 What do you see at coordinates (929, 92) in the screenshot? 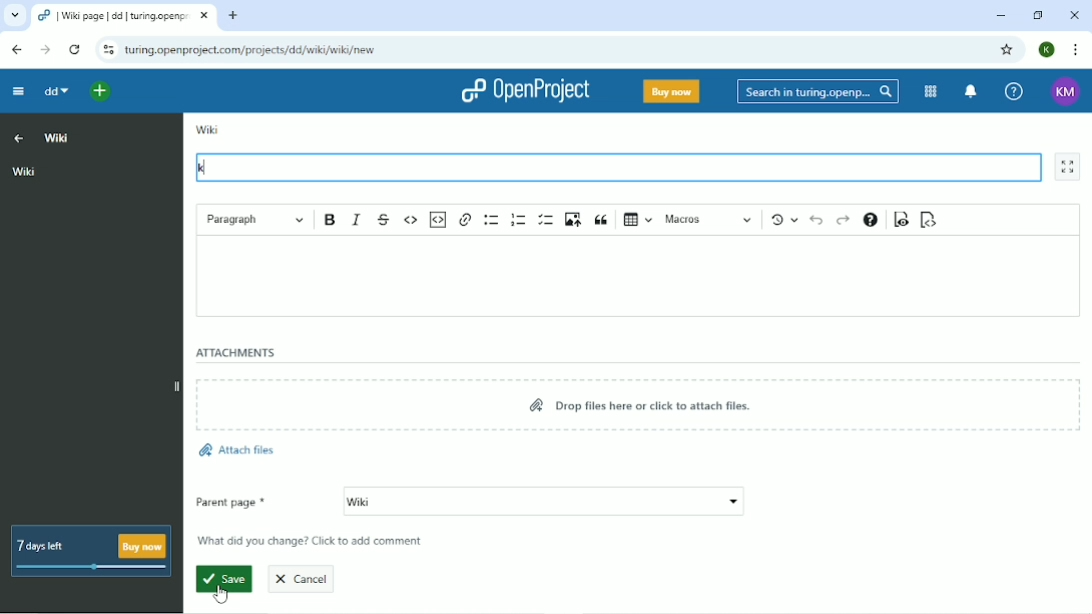
I see `Modules` at bounding box center [929, 92].